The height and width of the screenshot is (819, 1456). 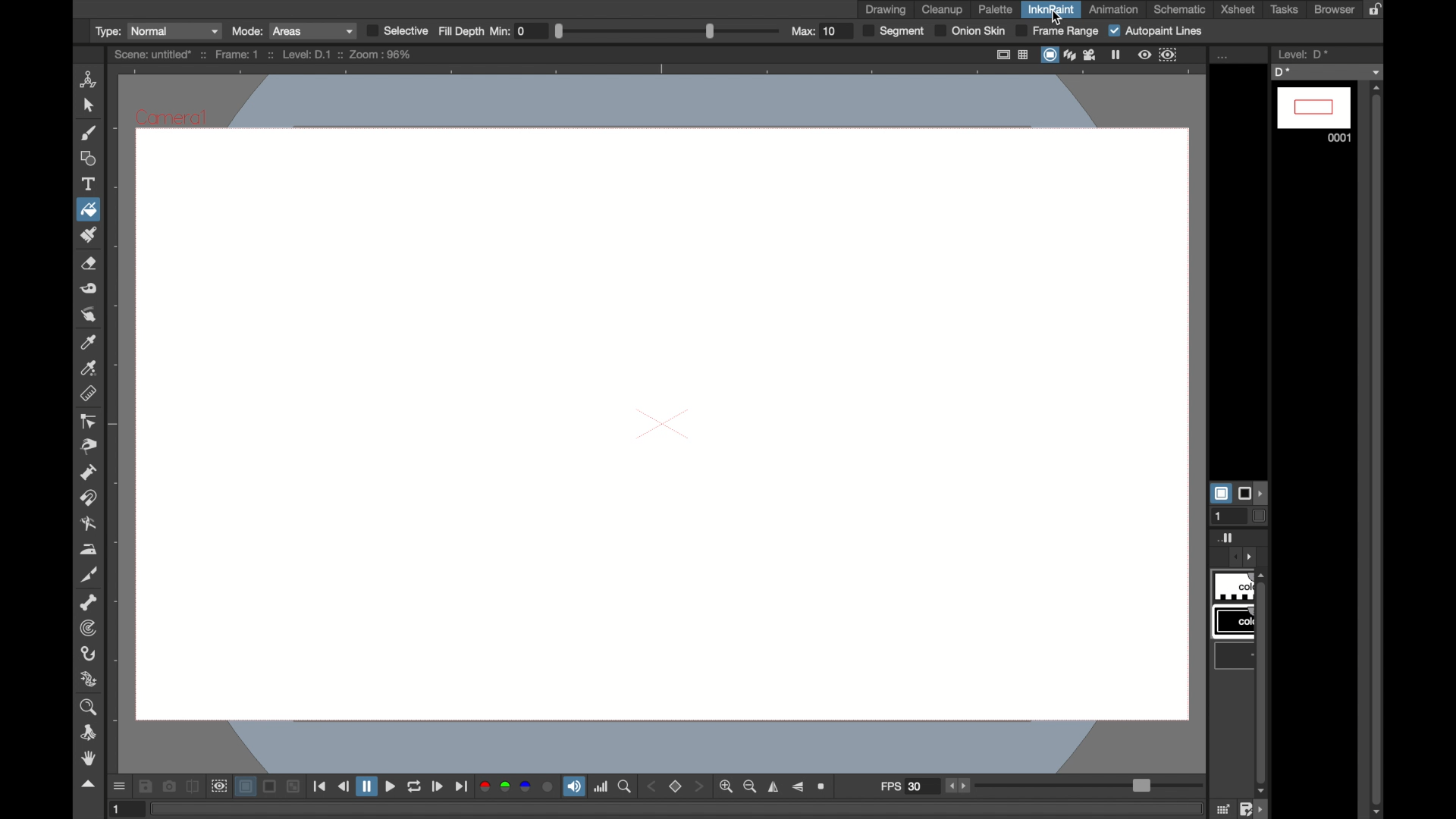 What do you see at coordinates (89, 576) in the screenshot?
I see `cutter tool` at bounding box center [89, 576].